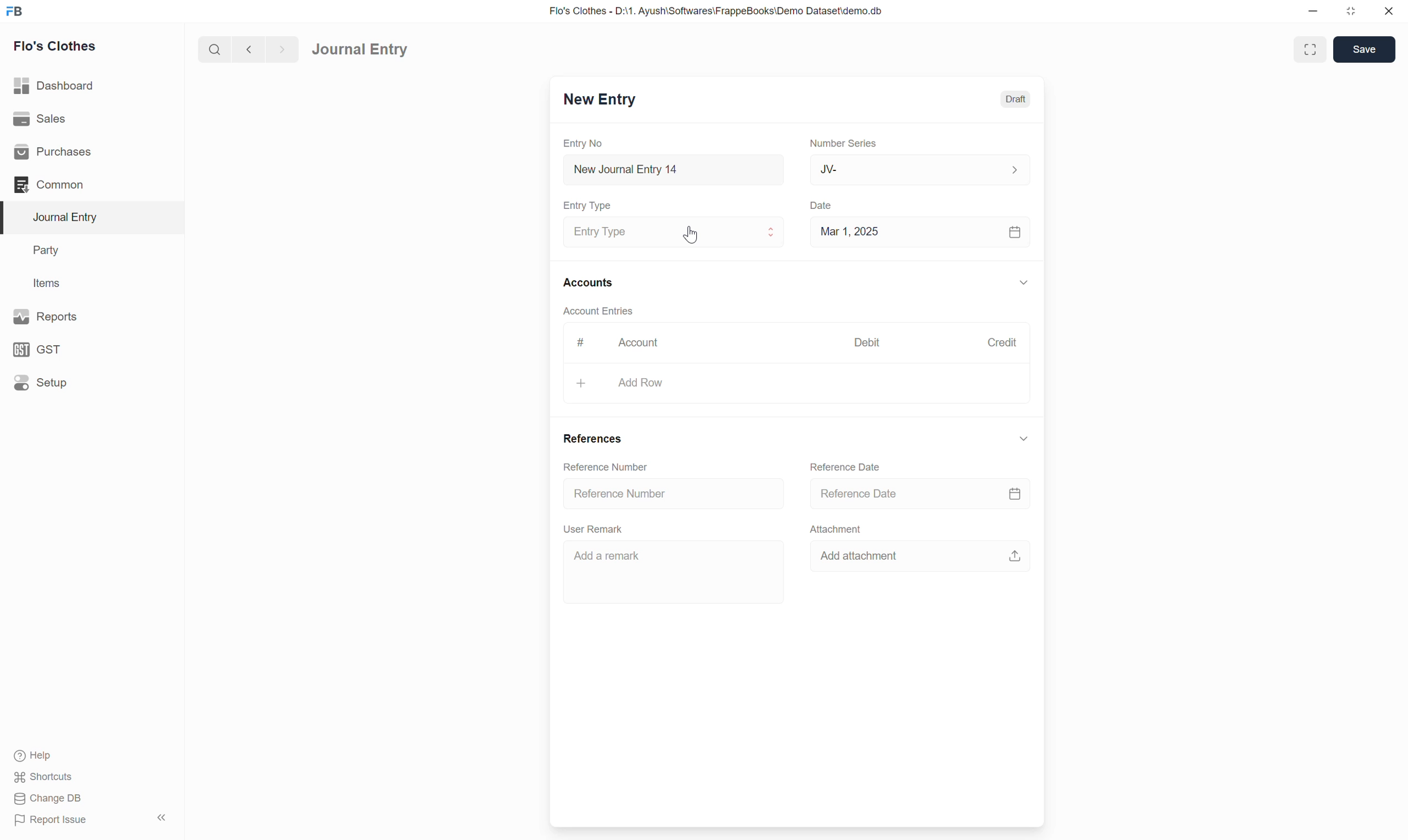 This screenshot has width=1408, height=840. What do you see at coordinates (596, 529) in the screenshot?
I see `User Remark` at bounding box center [596, 529].